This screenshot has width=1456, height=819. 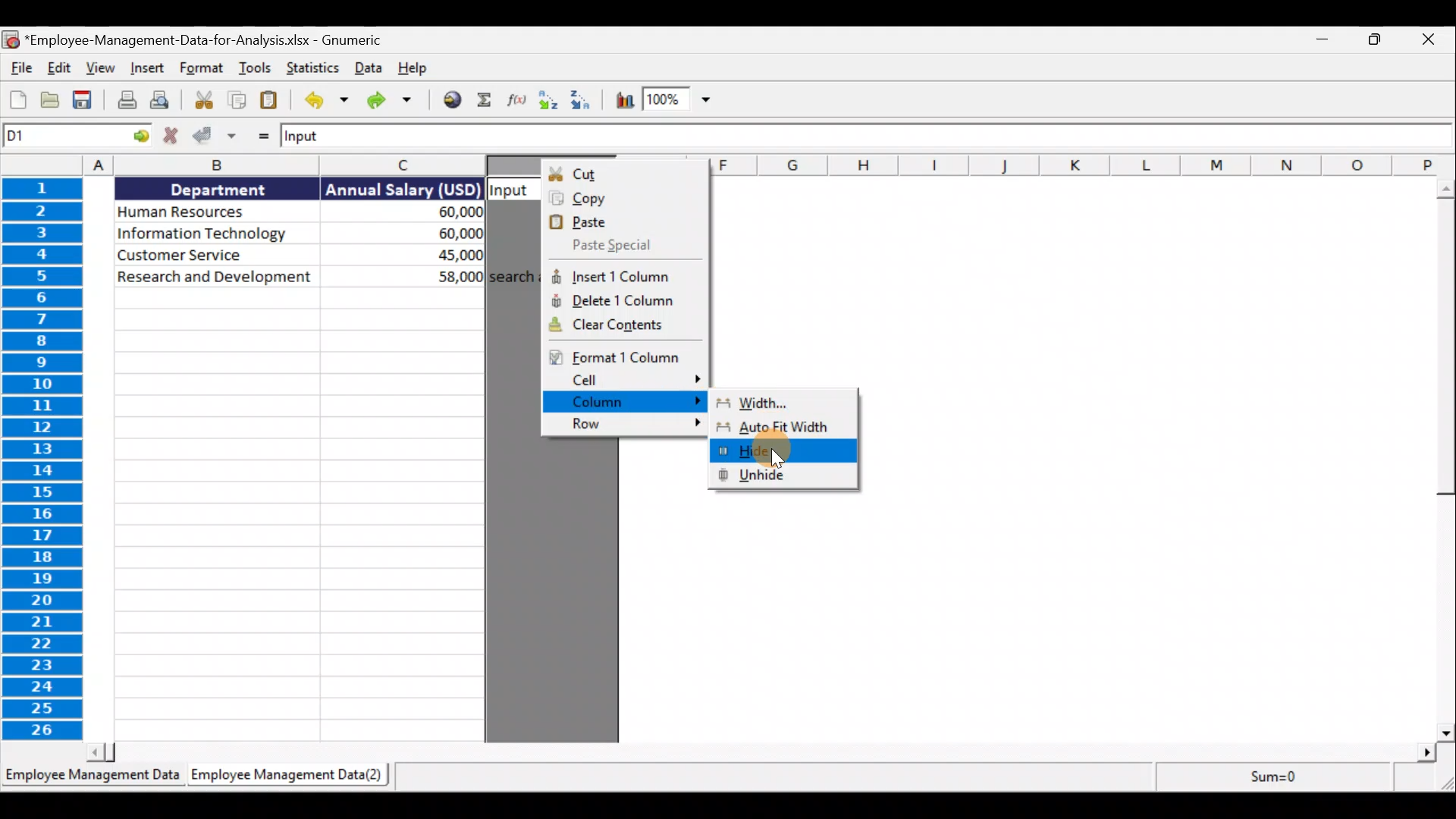 What do you see at coordinates (242, 165) in the screenshot?
I see `columns` at bounding box center [242, 165].